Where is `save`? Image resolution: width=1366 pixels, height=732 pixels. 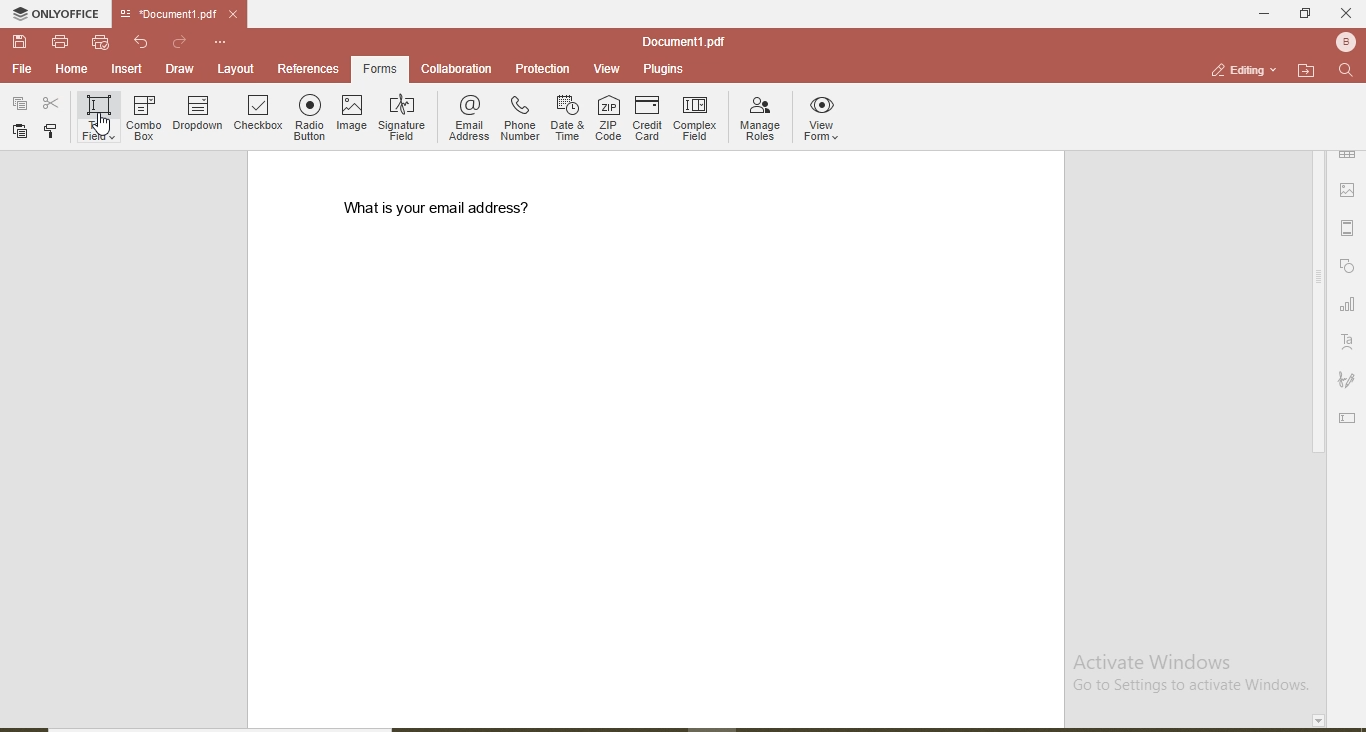 save is located at coordinates (22, 43).